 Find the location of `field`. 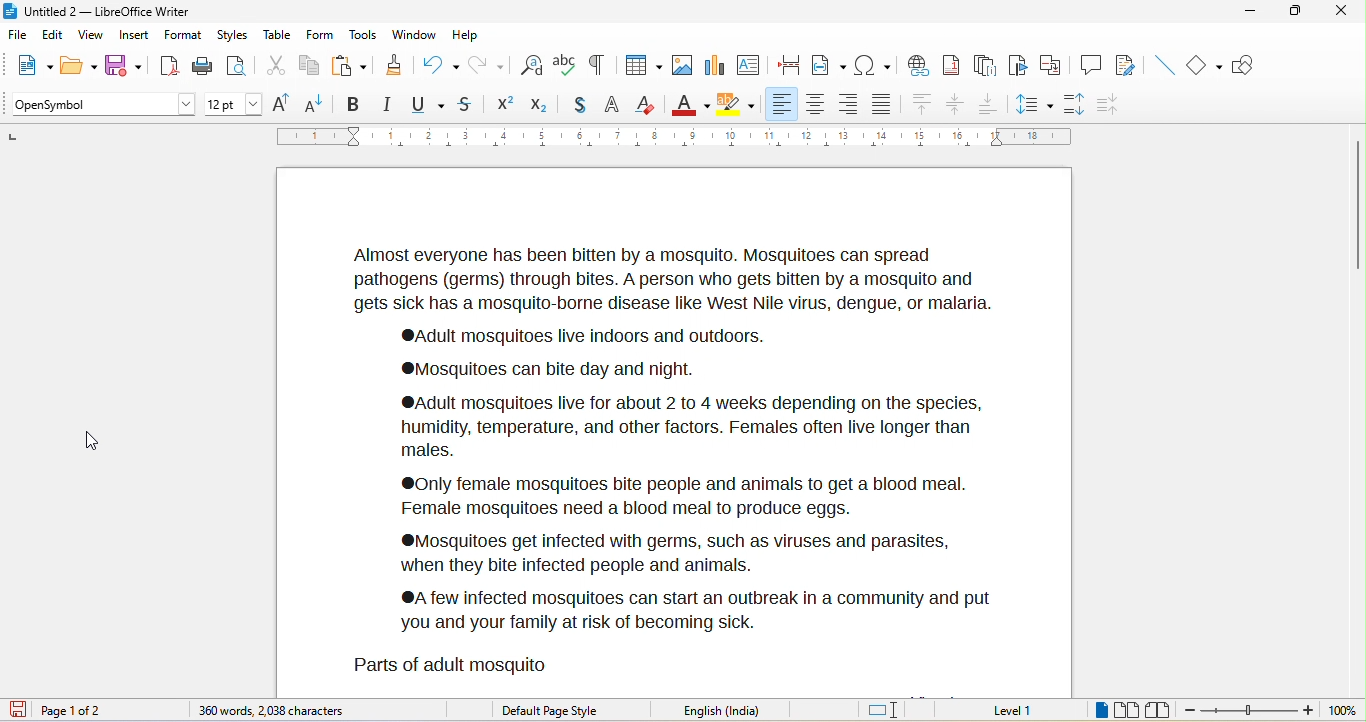

field is located at coordinates (829, 65).